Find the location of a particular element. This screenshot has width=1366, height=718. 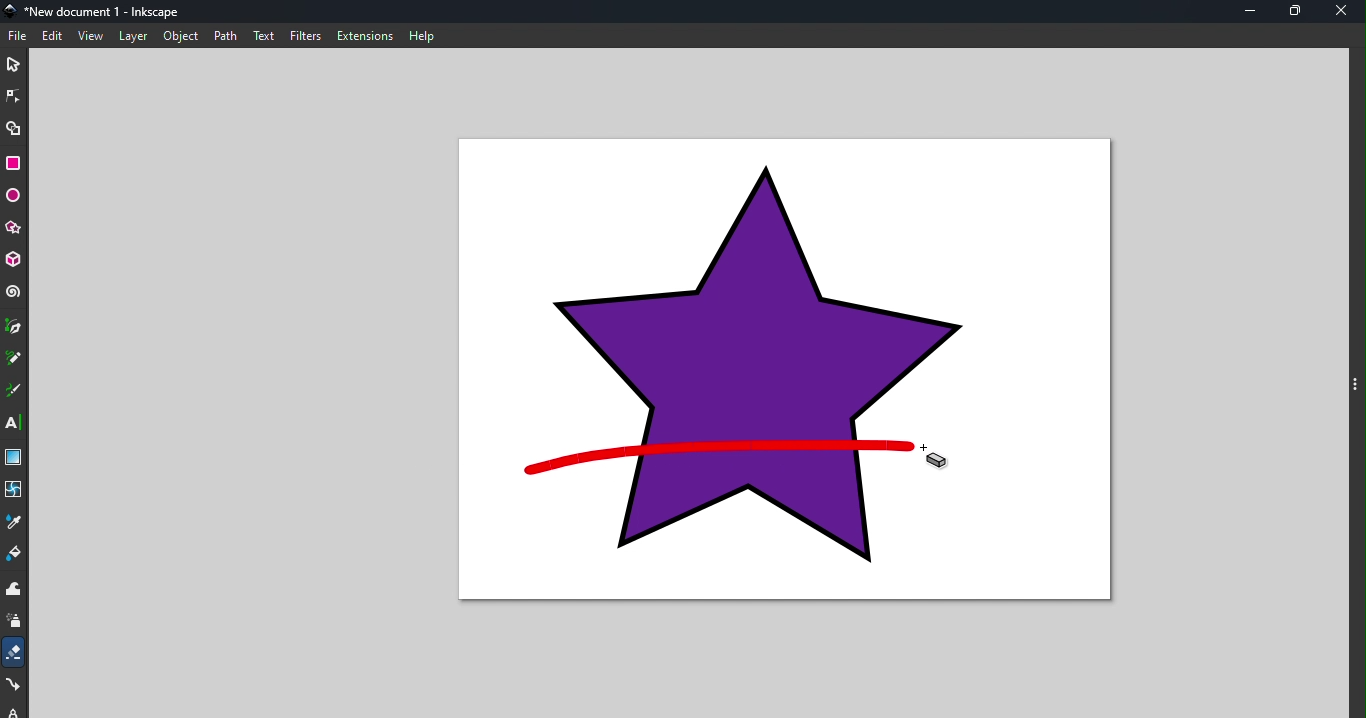

help is located at coordinates (424, 35).